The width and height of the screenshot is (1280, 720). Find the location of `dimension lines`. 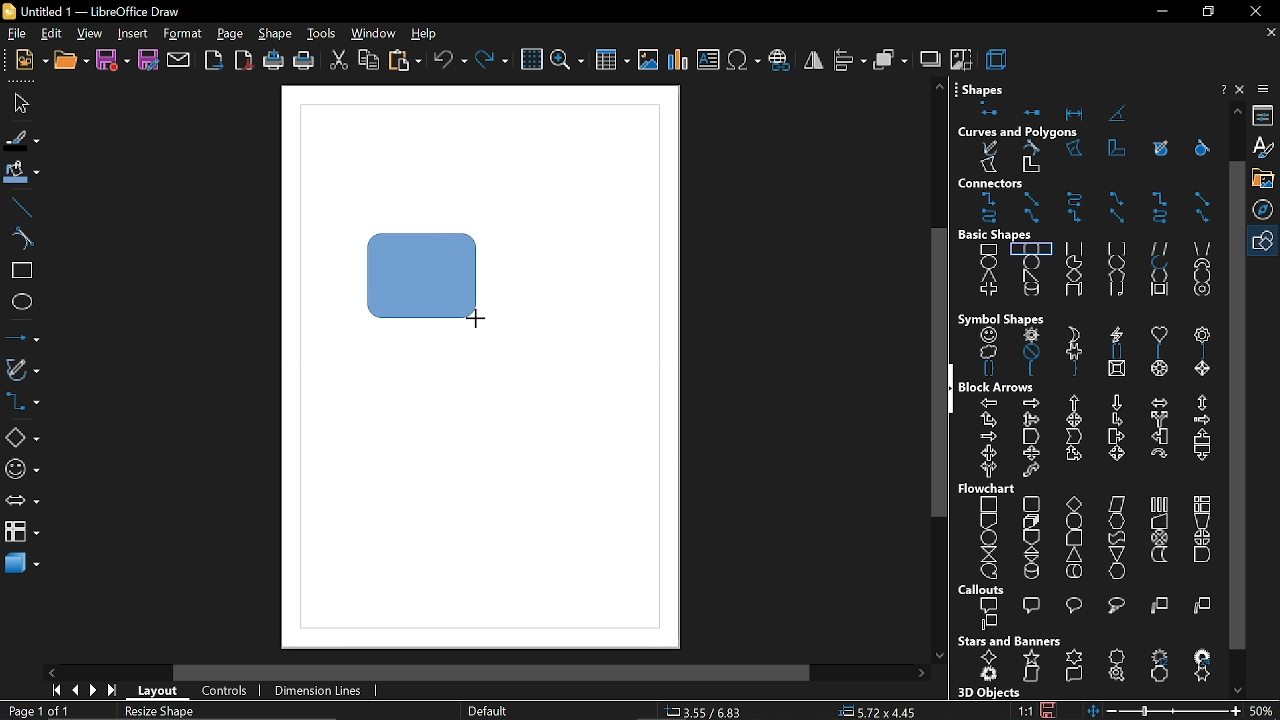

dimension lines is located at coordinates (320, 692).